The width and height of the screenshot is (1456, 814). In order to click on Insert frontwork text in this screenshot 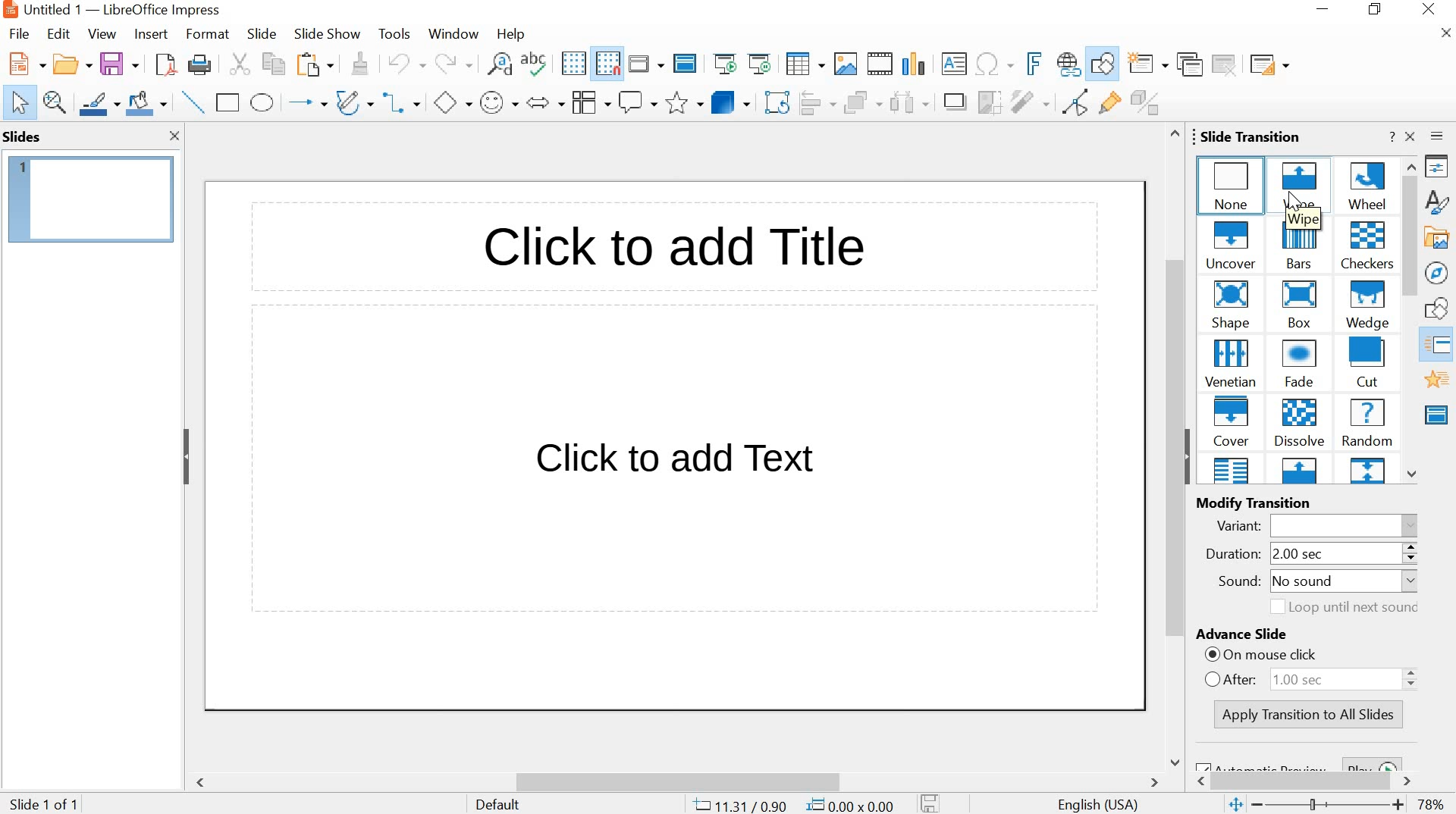, I will do `click(1029, 64)`.